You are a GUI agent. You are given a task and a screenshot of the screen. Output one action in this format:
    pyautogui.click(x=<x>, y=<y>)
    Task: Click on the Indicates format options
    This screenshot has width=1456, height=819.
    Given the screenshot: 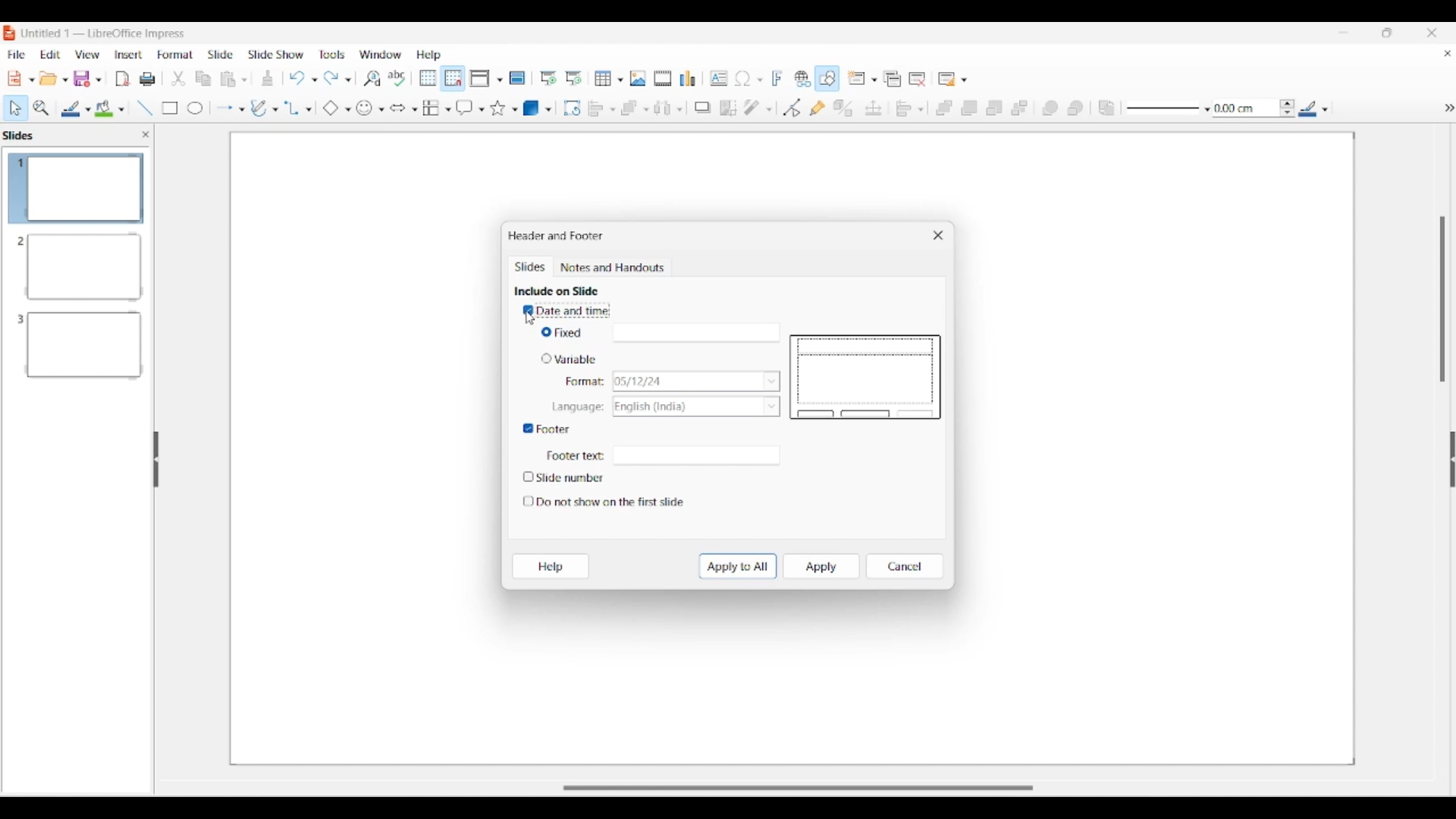 What is the action you would take?
    pyautogui.click(x=585, y=381)
    